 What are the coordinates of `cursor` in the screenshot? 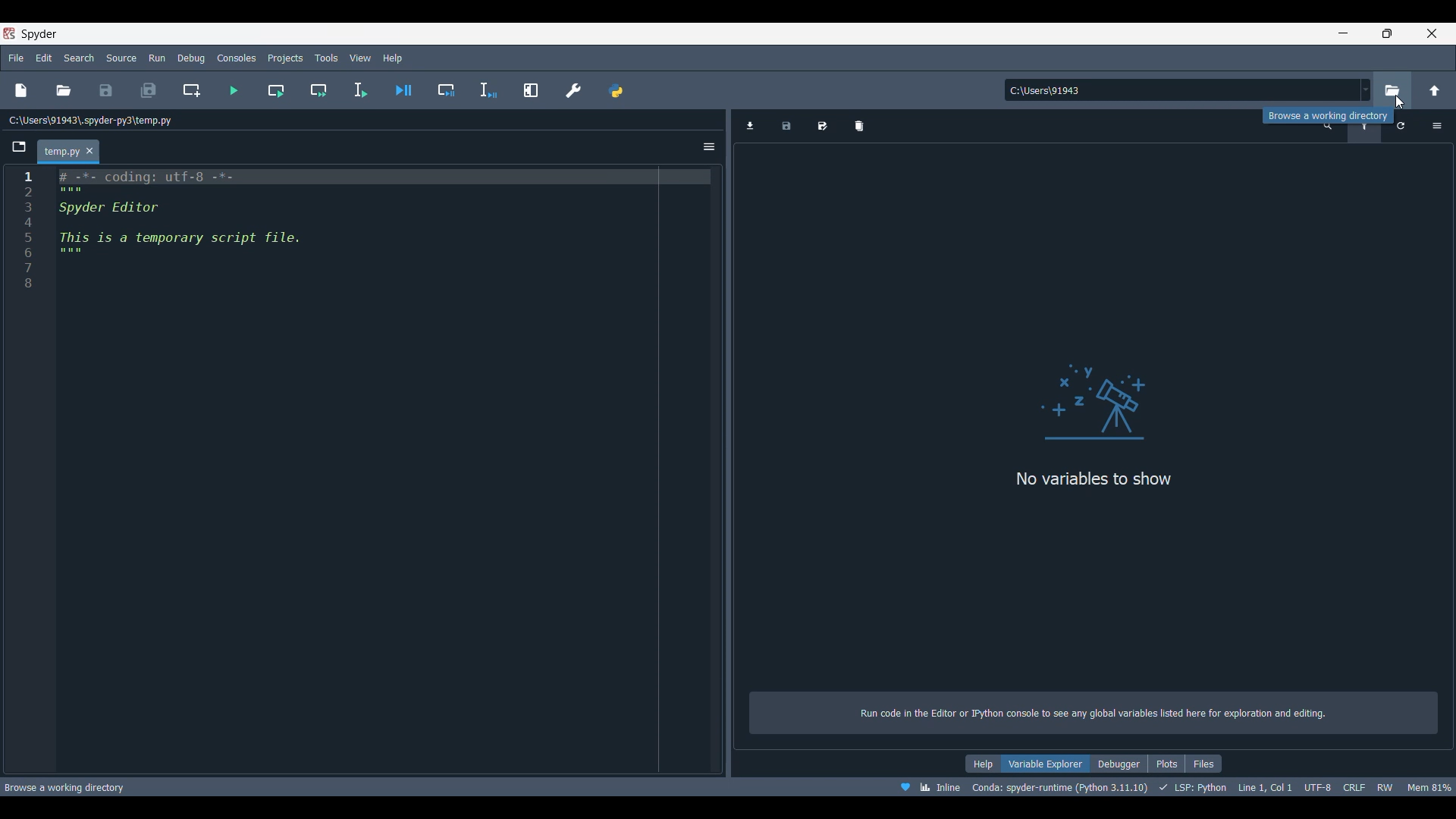 It's located at (1399, 102).